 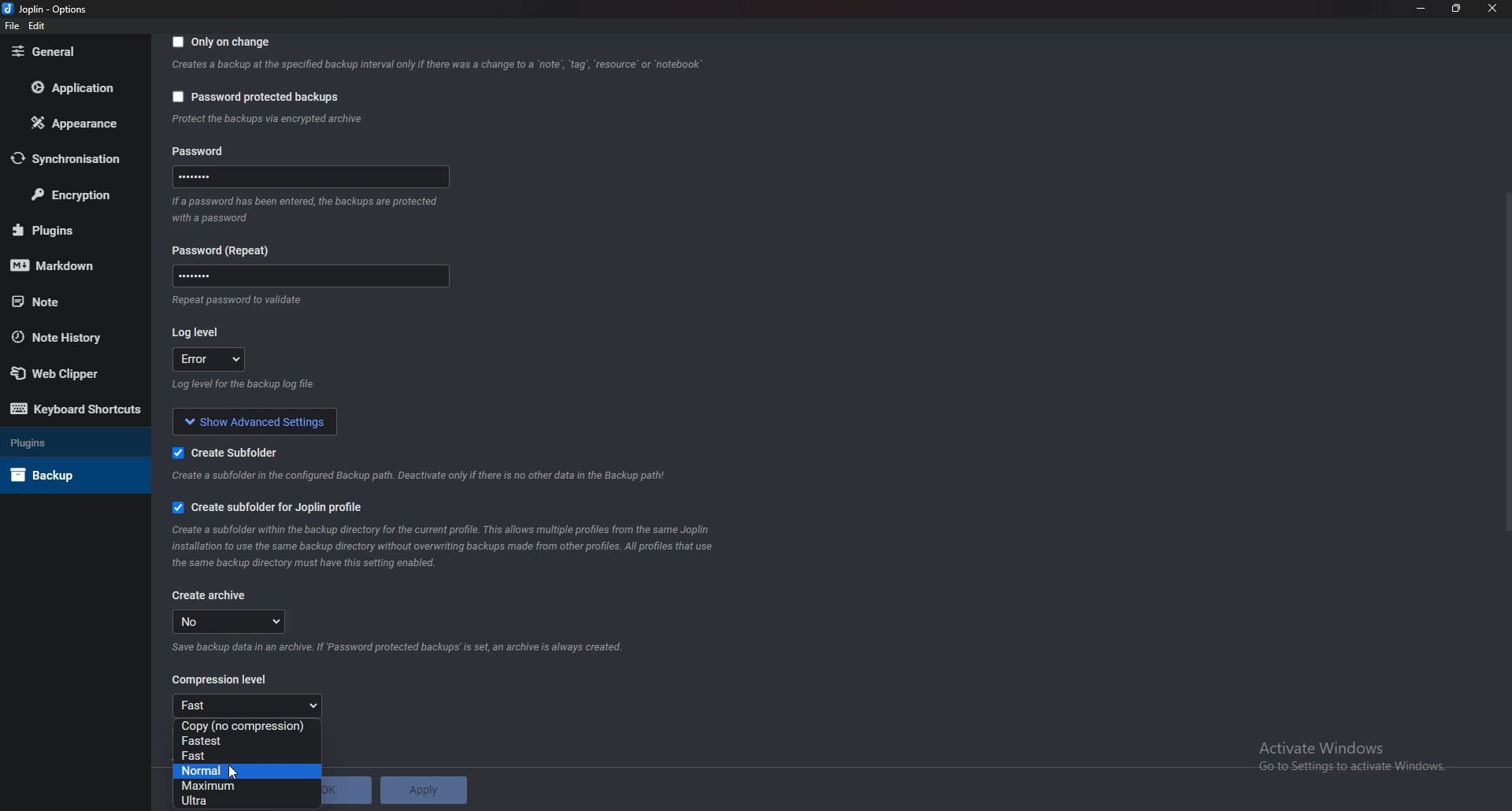 I want to click on create sub folder, so click(x=220, y=453).